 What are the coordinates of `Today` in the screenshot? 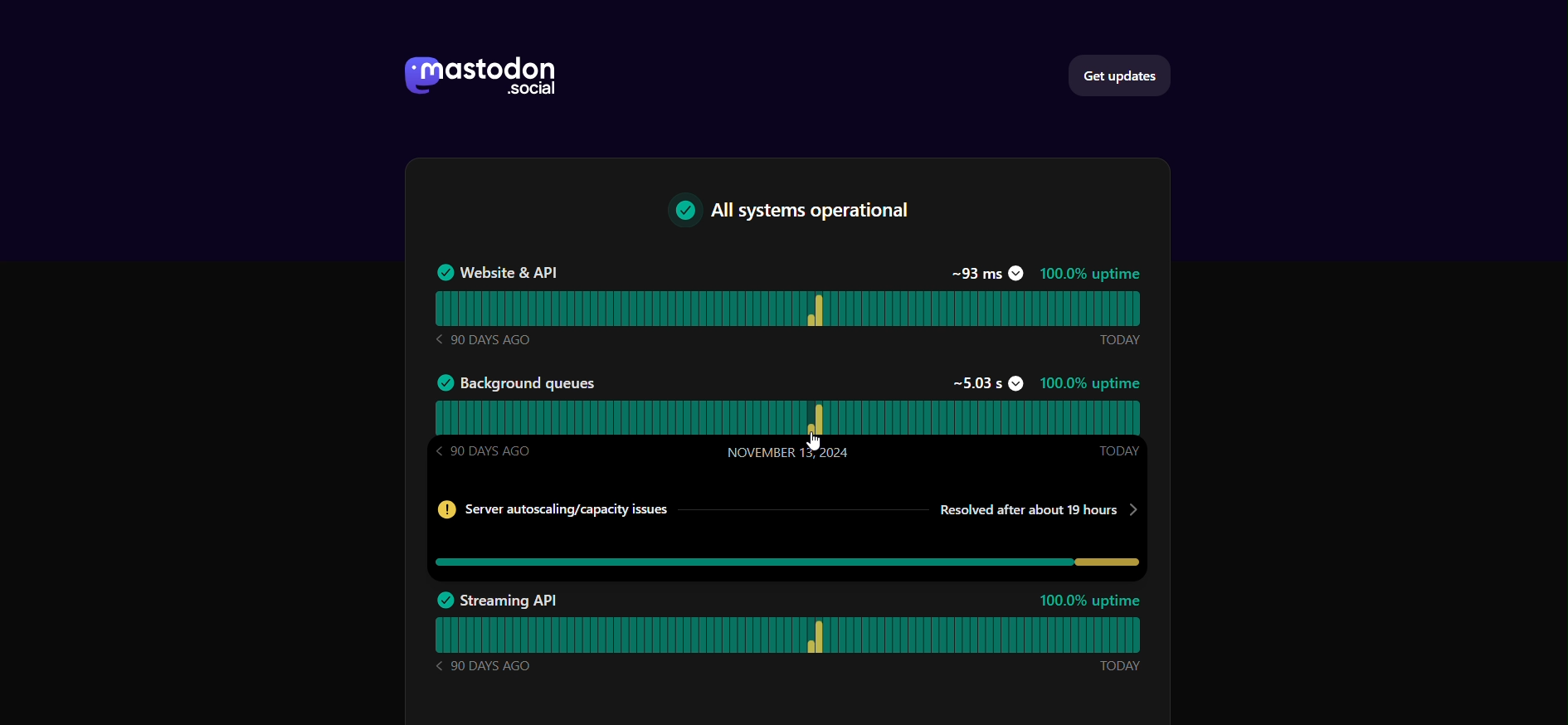 It's located at (1119, 341).